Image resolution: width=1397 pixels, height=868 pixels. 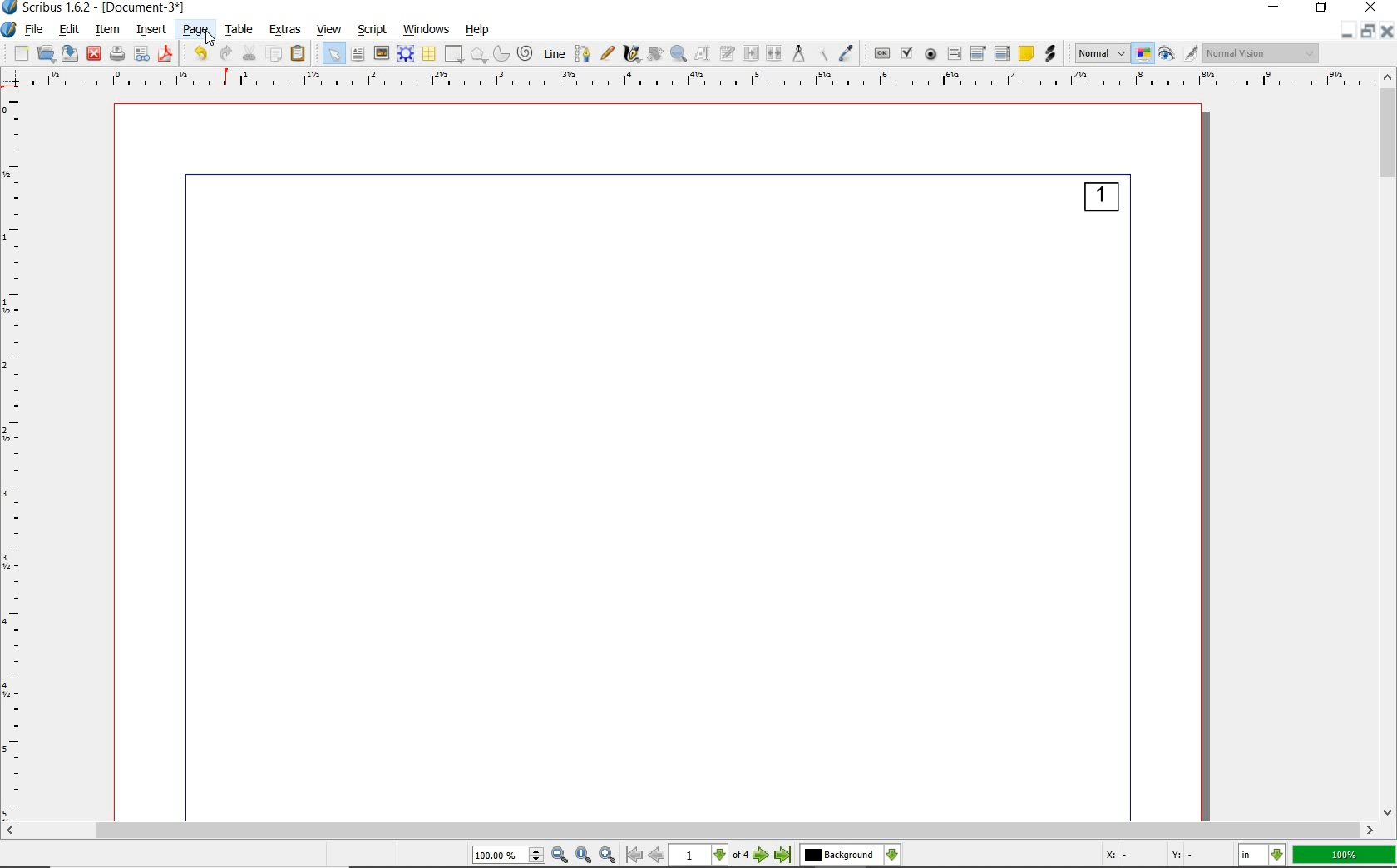 What do you see at coordinates (1100, 55) in the screenshot?
I see `select image preview mode` at bounding box center [1100, 55].